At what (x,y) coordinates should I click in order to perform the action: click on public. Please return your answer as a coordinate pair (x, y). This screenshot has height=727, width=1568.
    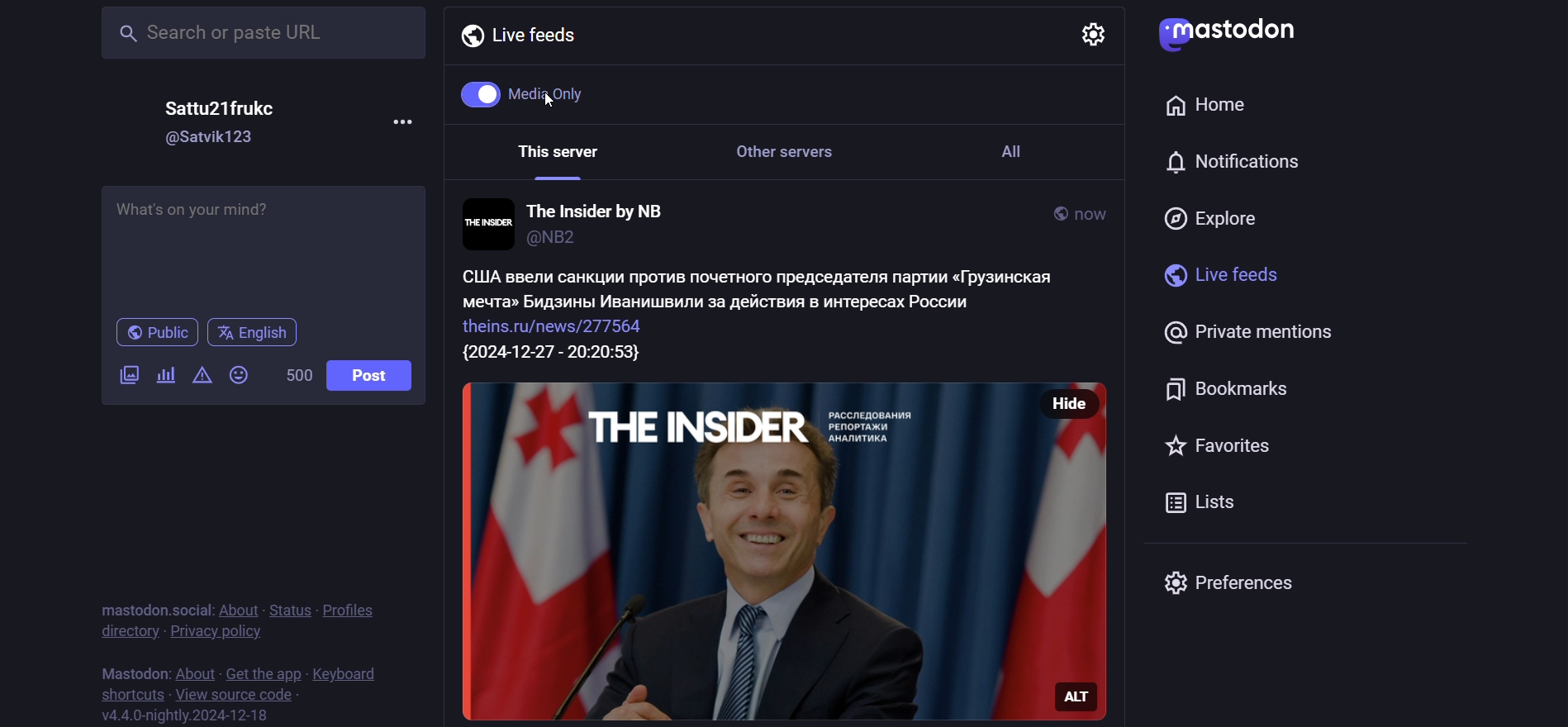
    Looking at the image, I should click on (1043, 213).